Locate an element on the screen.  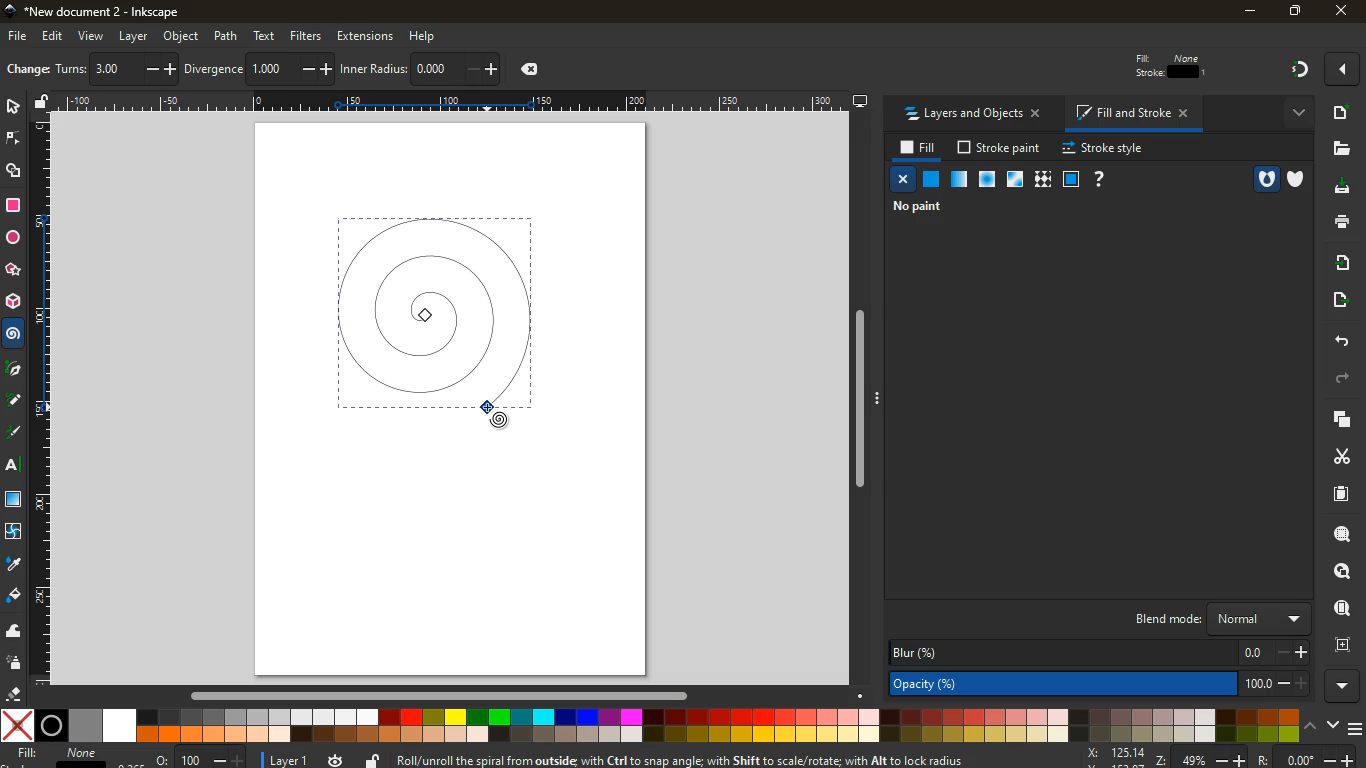
spiral is located at coordinates (447, 312).